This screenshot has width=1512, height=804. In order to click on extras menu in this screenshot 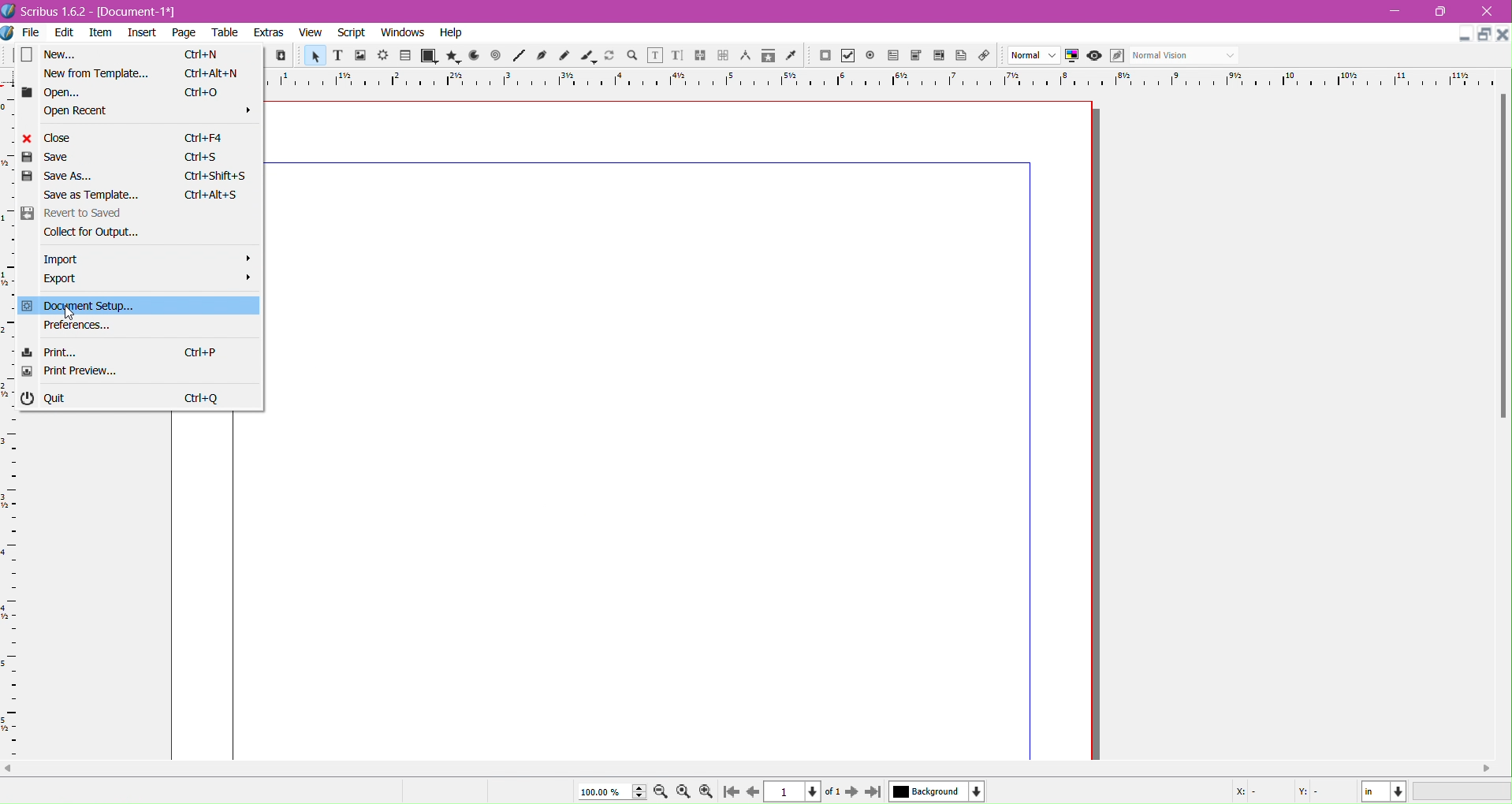, I will do `click(270, 33)`.